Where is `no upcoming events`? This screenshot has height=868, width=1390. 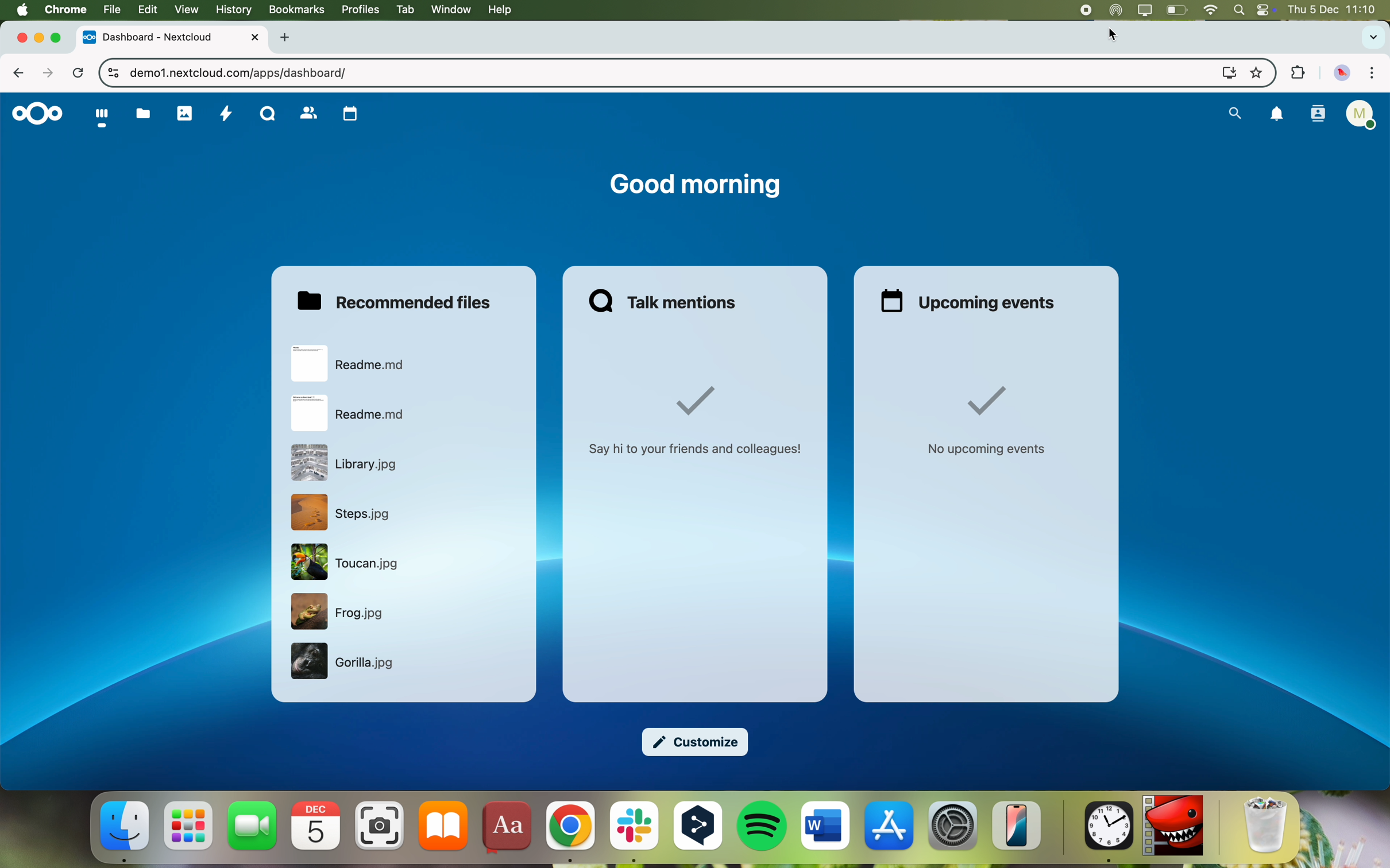
no upcoming events is located at coordinates (987, 423).